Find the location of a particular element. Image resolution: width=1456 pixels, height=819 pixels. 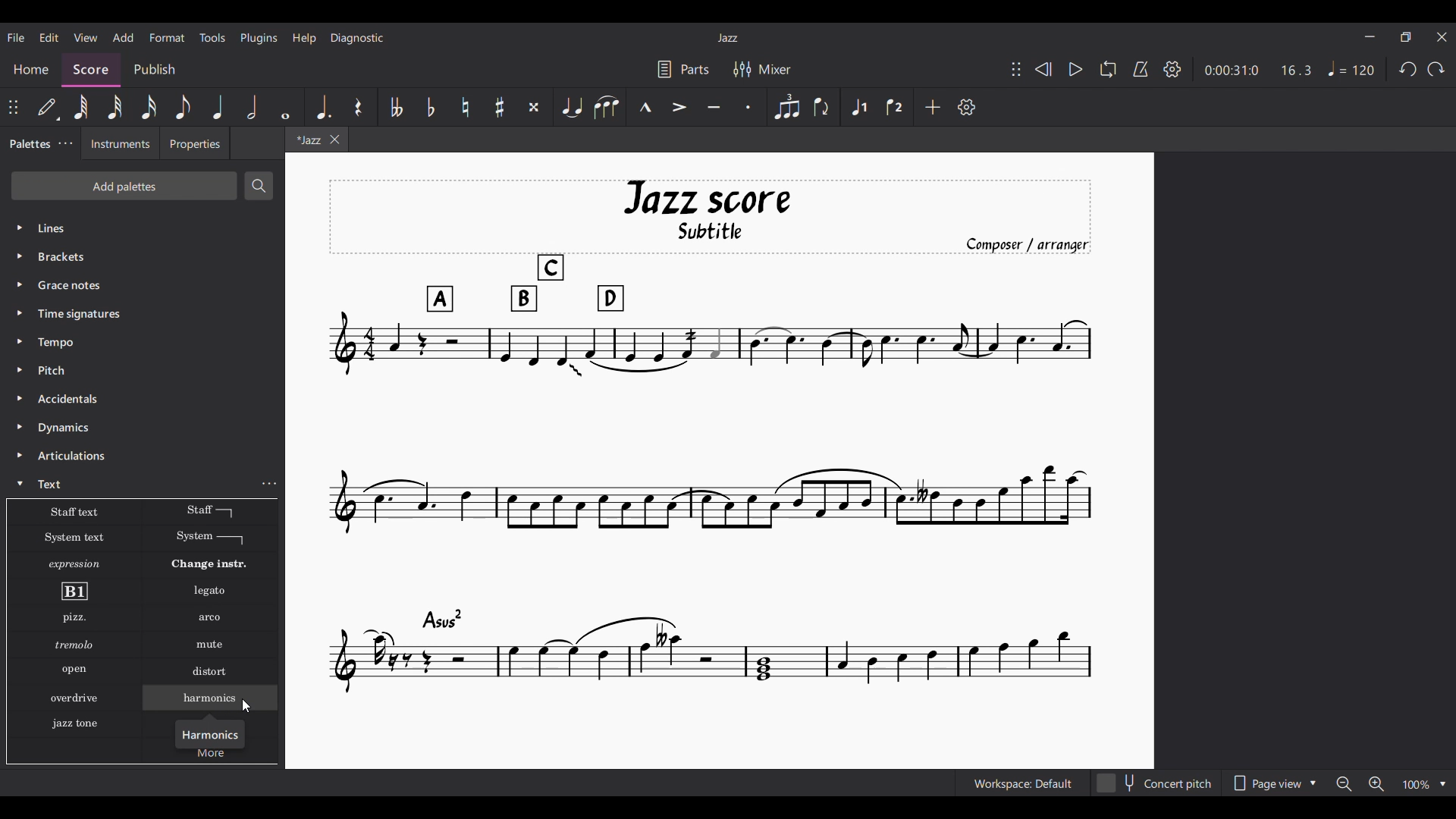

More is located at coordinates (213, 755).